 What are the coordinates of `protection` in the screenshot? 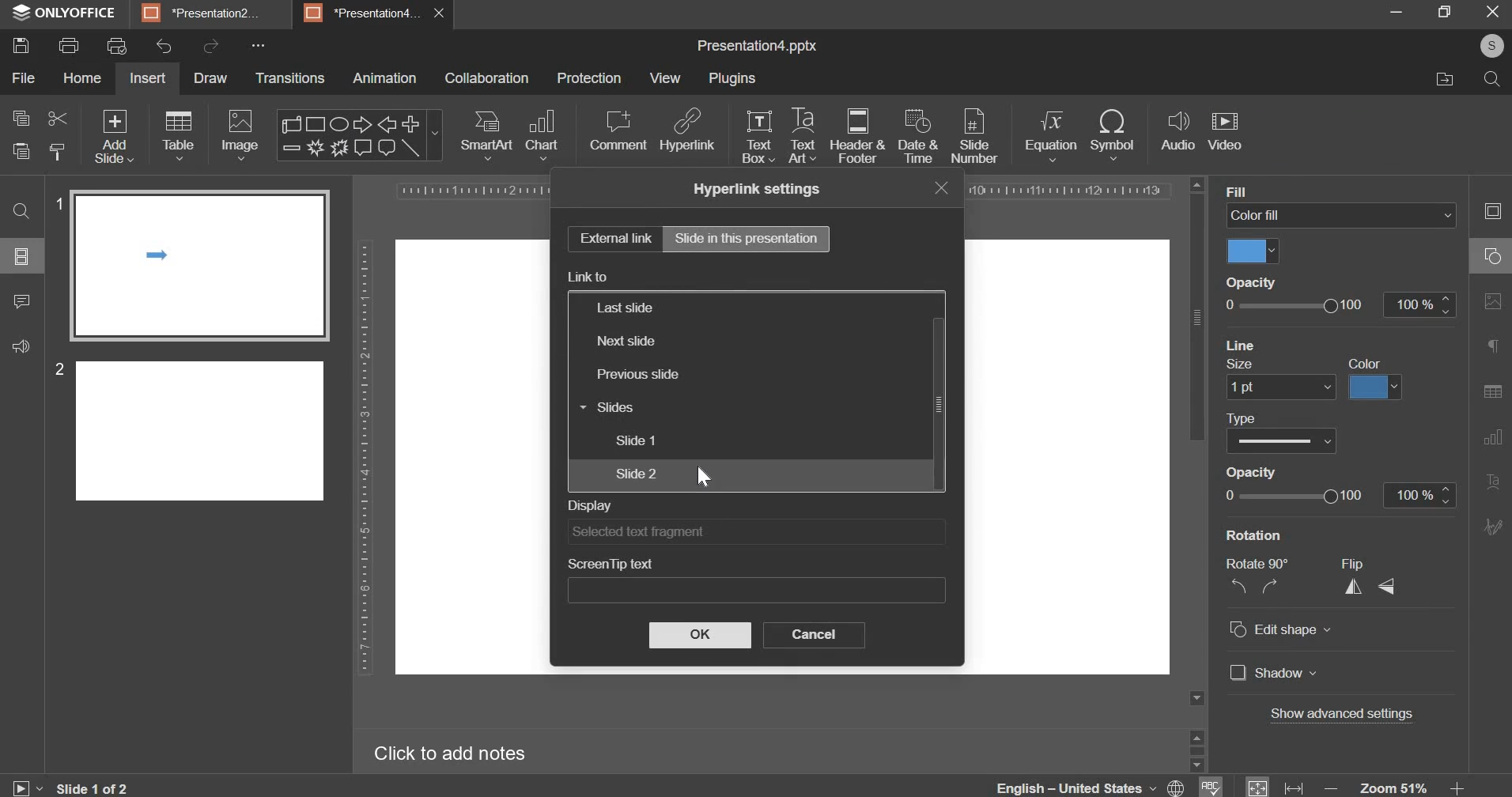 It's located at (589, 79).